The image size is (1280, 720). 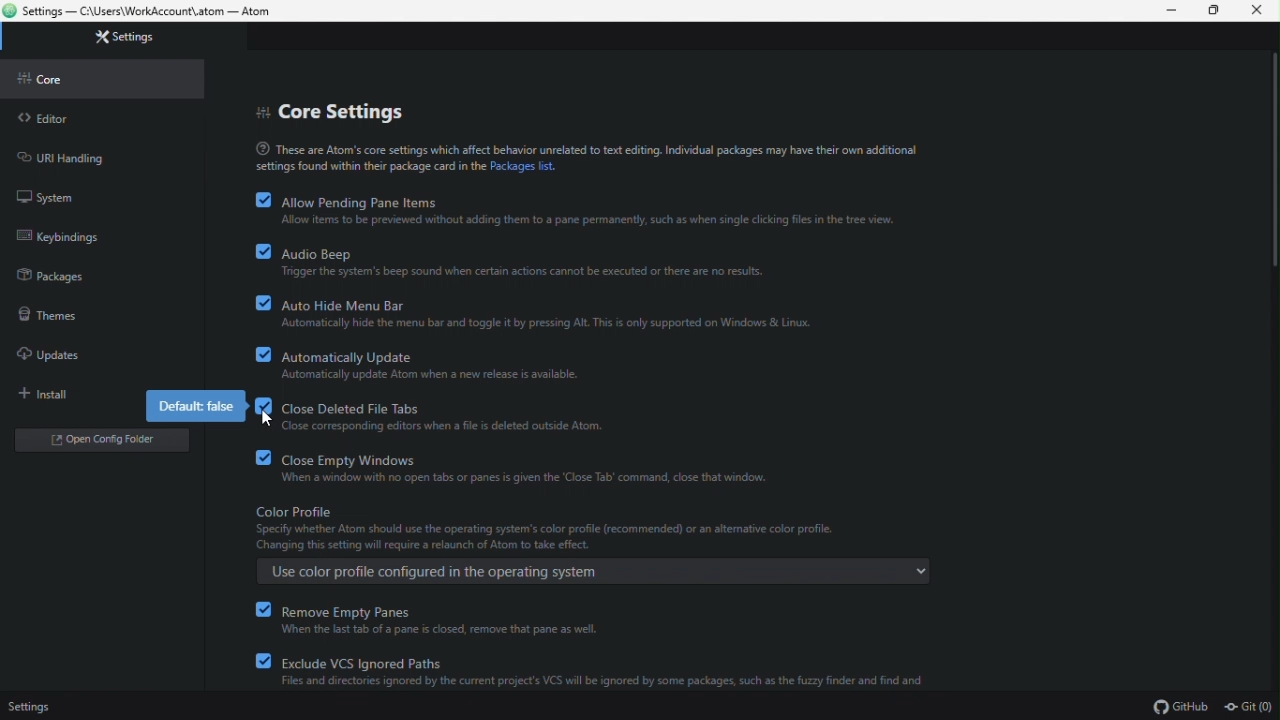 I want to click on close empty windows, so click(x=529, y=469).